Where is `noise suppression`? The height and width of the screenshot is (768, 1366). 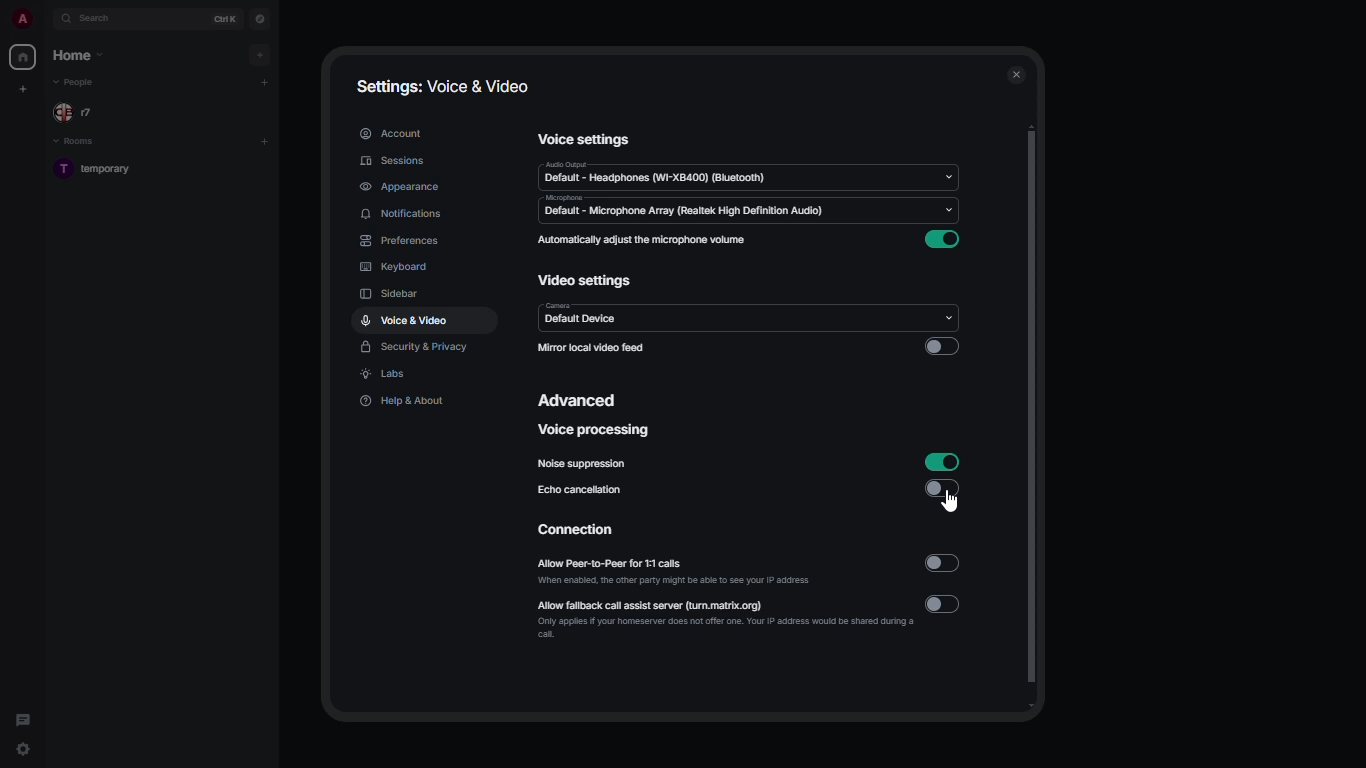
noise suppression is located at coordinates (581, 465).